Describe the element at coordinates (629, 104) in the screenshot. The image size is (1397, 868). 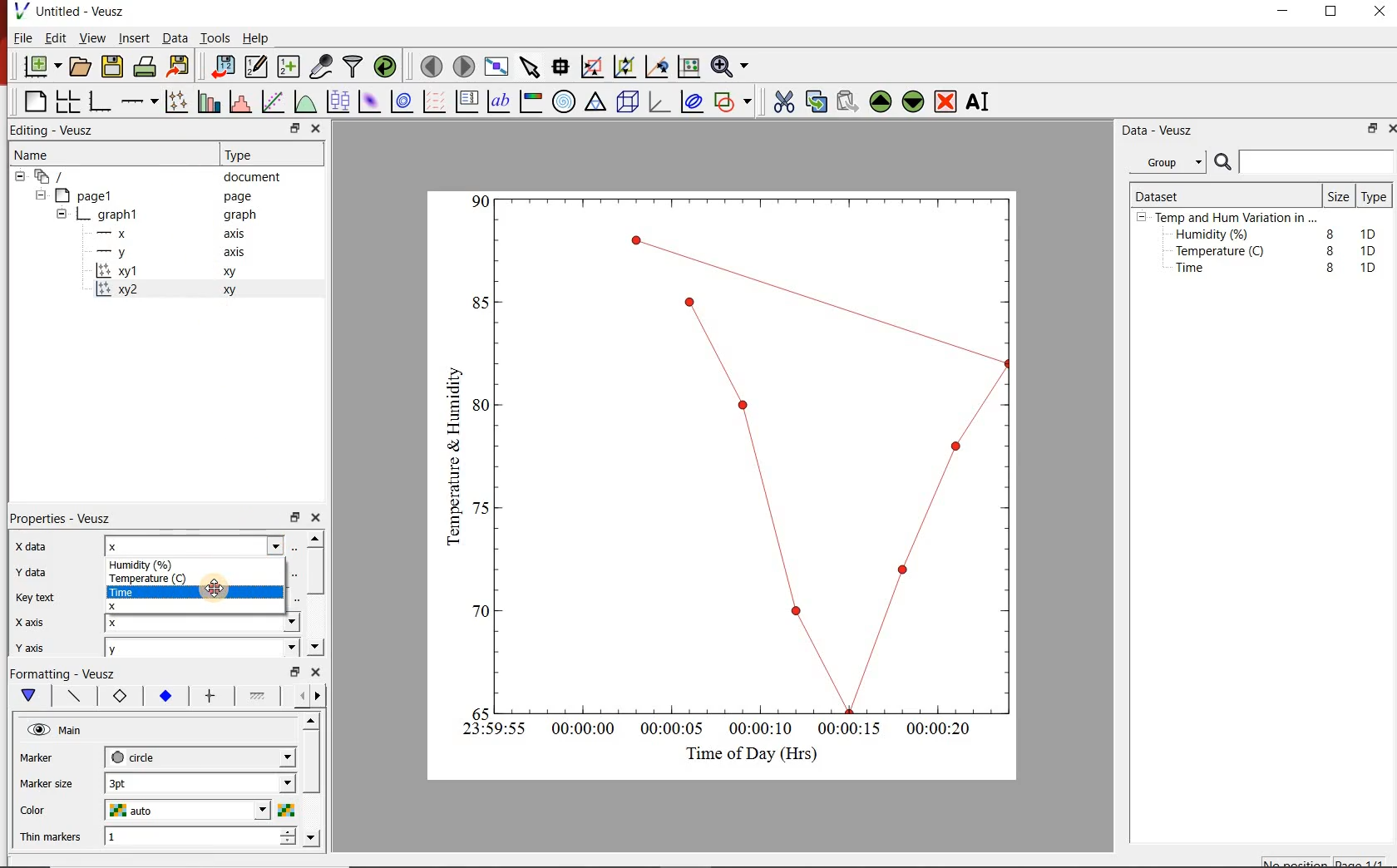
I see `3d scene` at that location.